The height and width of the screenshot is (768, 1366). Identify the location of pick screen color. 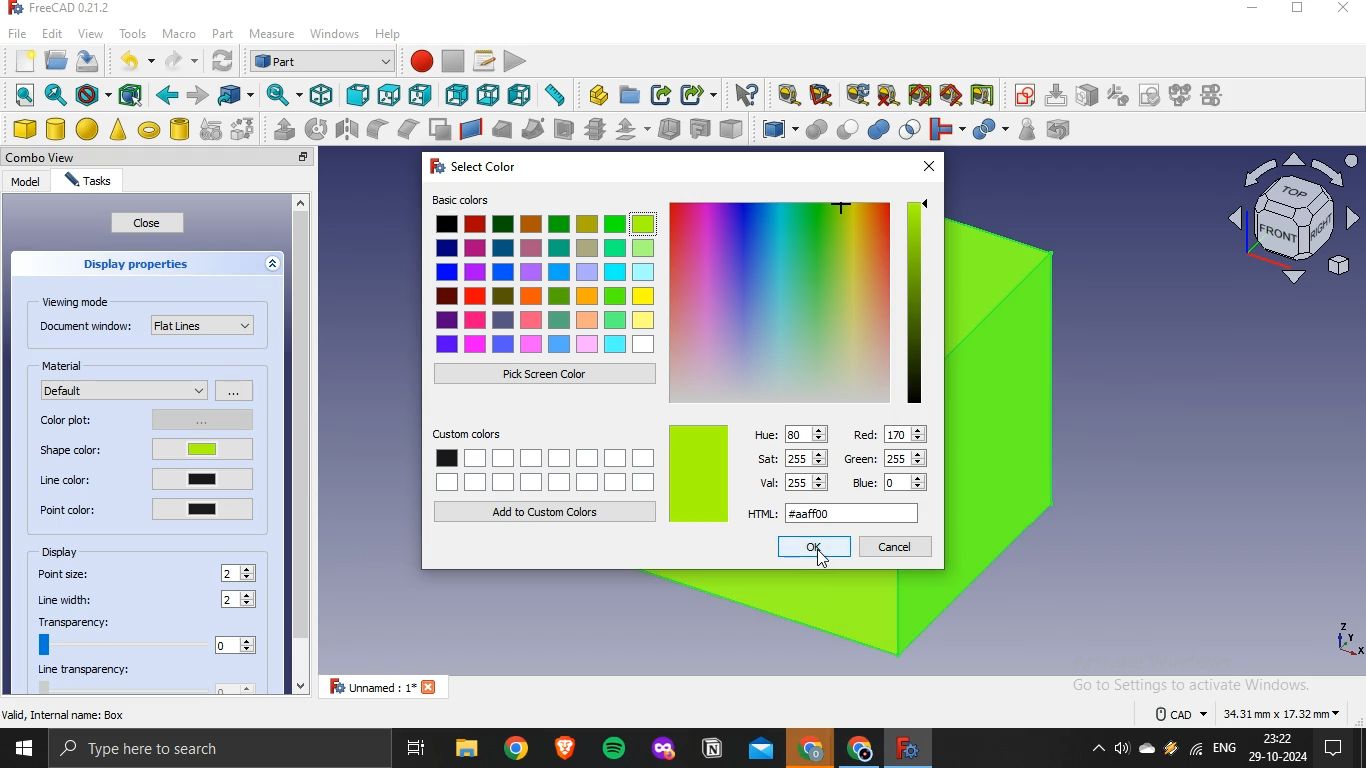
(543, 373).